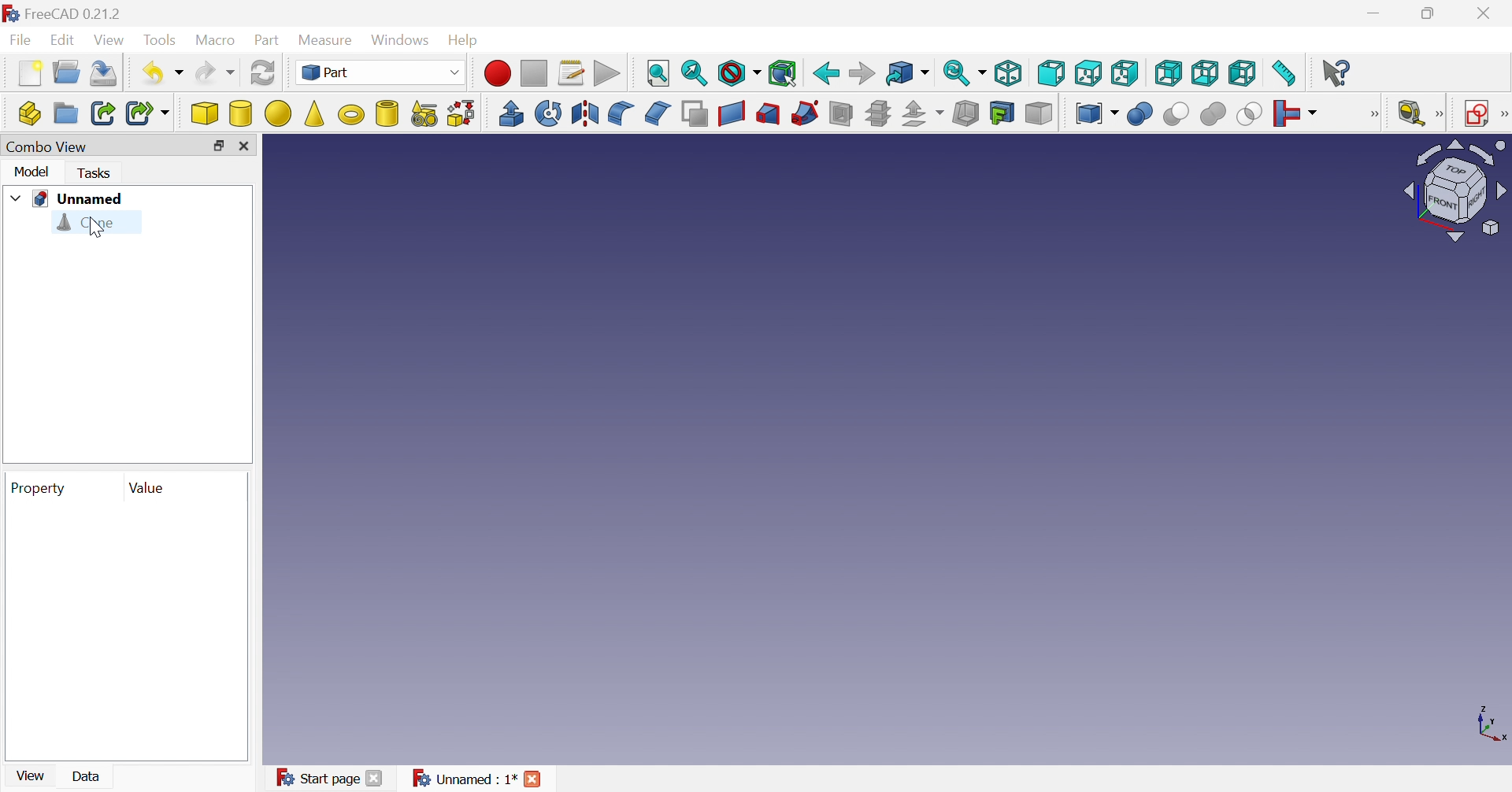 The height and width of the screenshot is (792, 1512). I want to click on Macros, so click(574, 69).